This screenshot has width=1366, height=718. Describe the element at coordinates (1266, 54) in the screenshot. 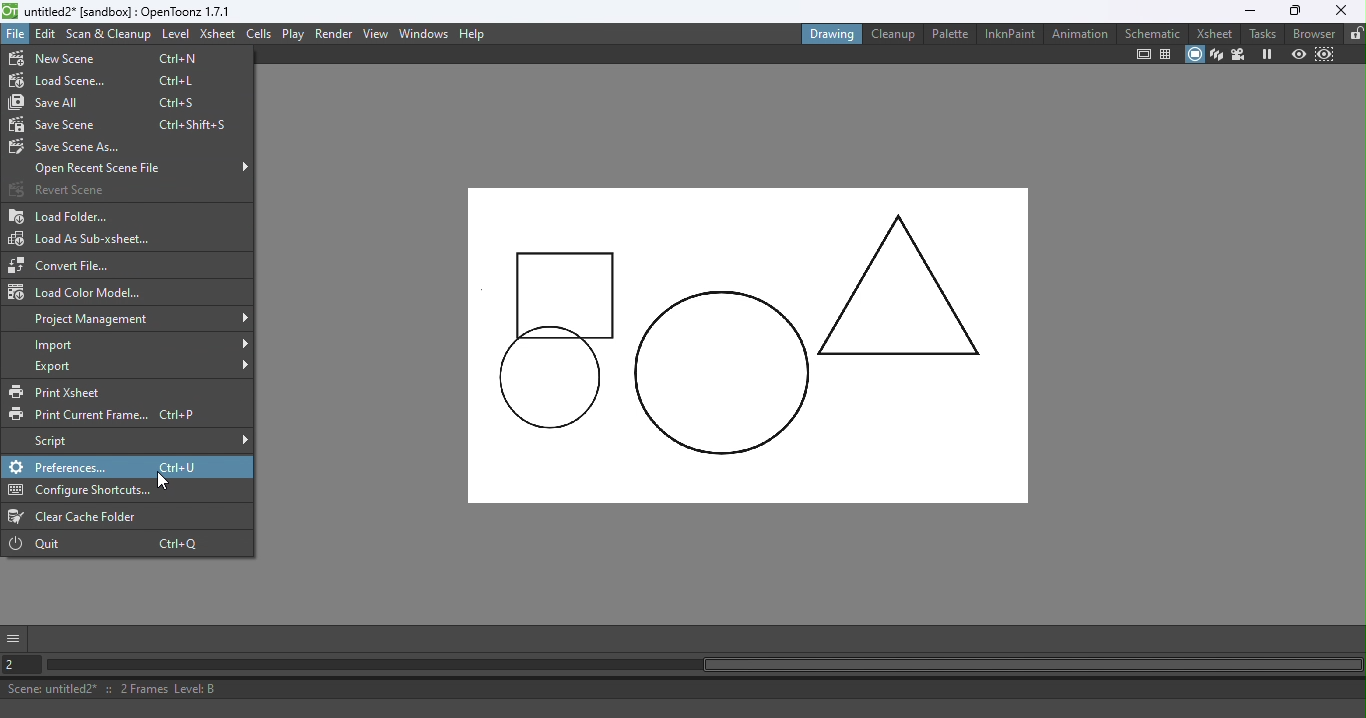

I see `Freeze` at that location.